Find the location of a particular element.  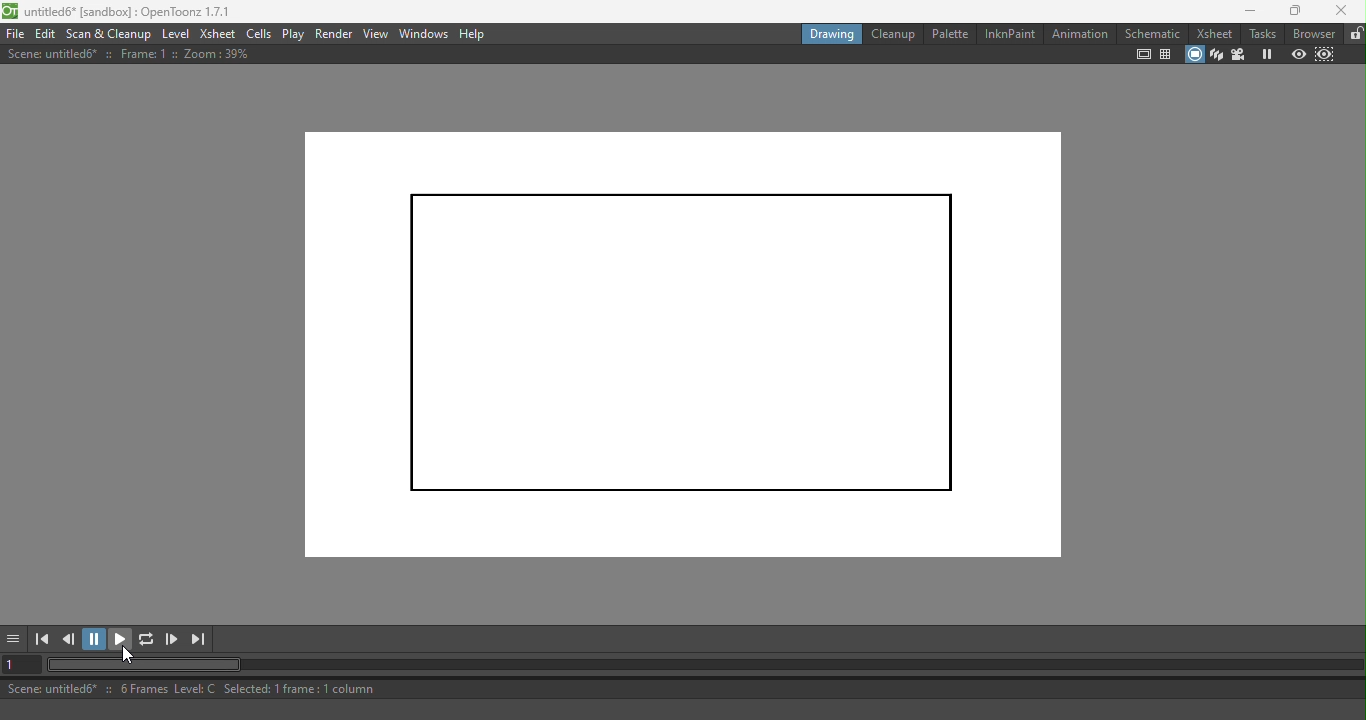

Next frame is located at coordinates (173, 641).